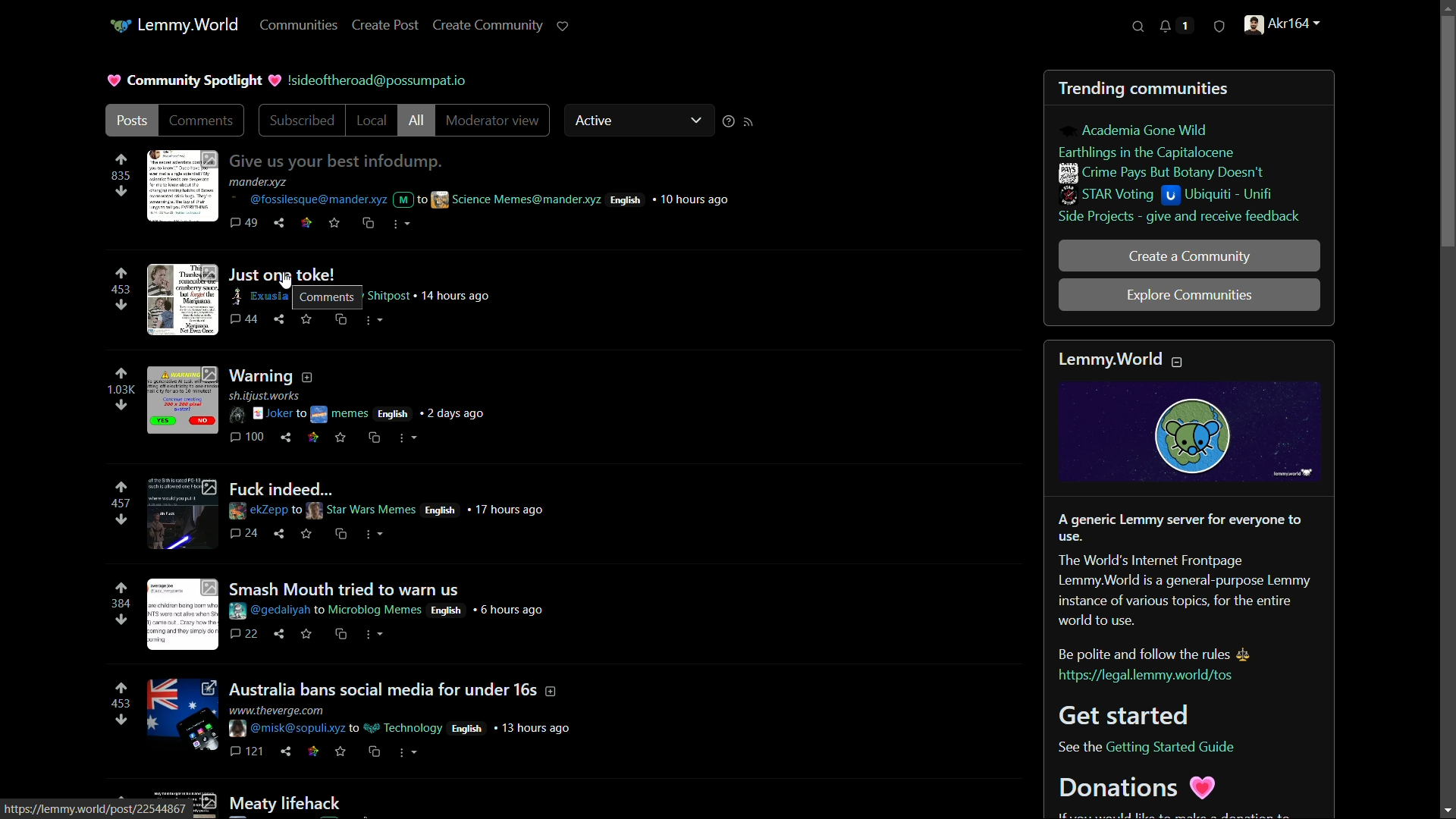  I want to click on crosspost, so click(375, 752).